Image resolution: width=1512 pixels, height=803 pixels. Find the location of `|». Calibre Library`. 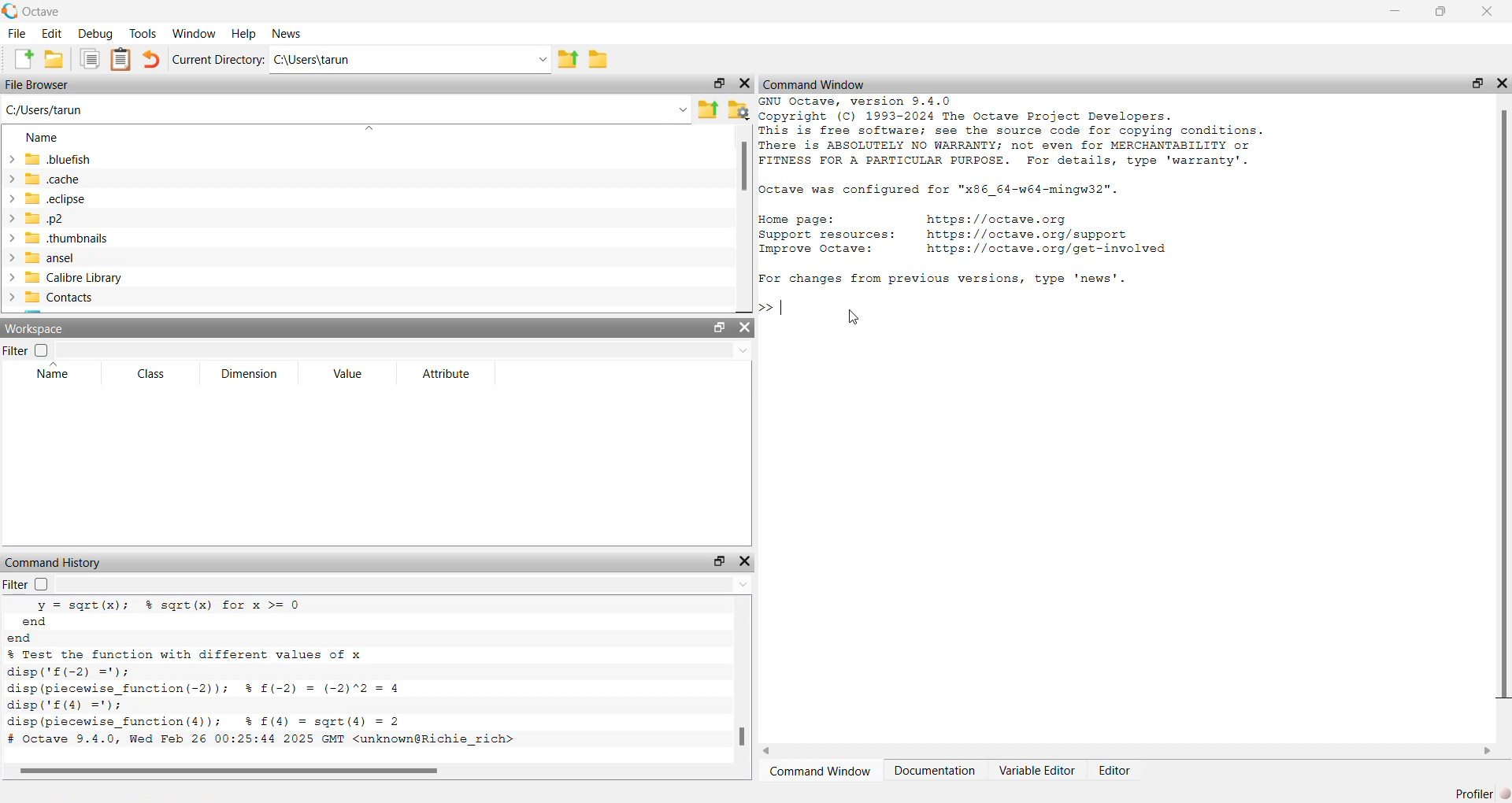

|». Calibre Library is located at coordinates (67, 278).